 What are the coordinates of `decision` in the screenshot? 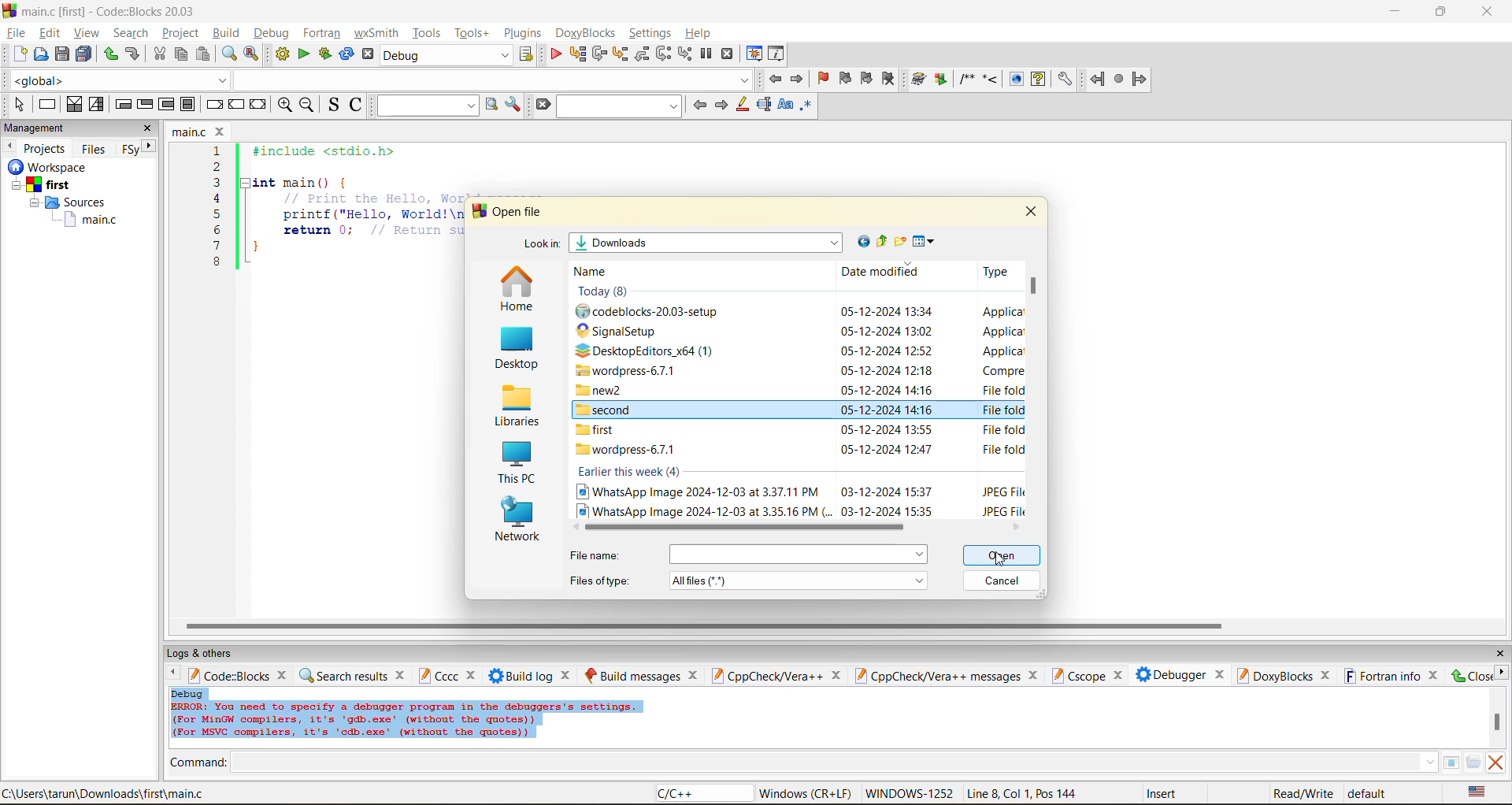 It's located at (73, 104).